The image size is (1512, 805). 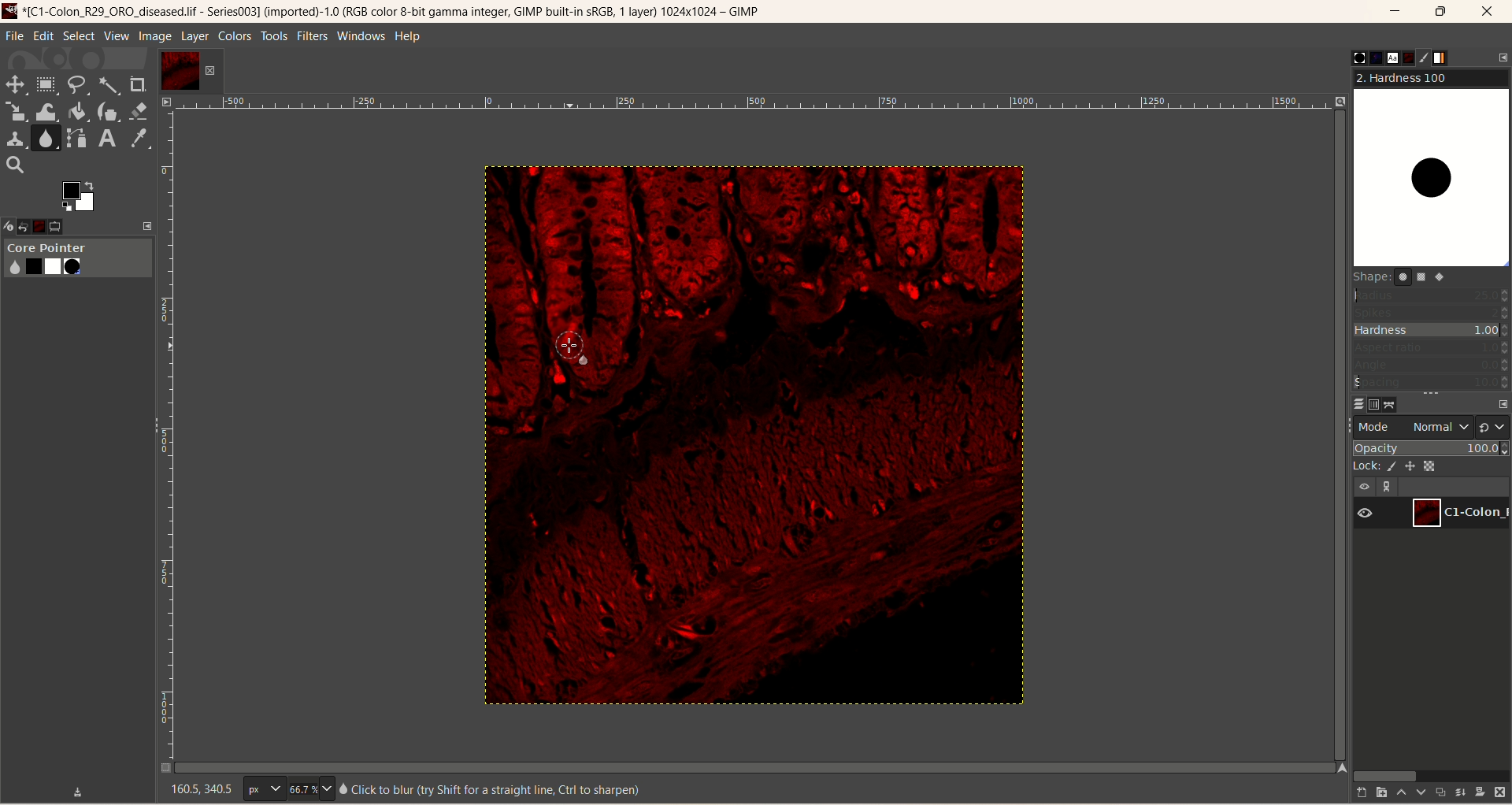 I want to click on shapes, so click(x=1408, y=280).